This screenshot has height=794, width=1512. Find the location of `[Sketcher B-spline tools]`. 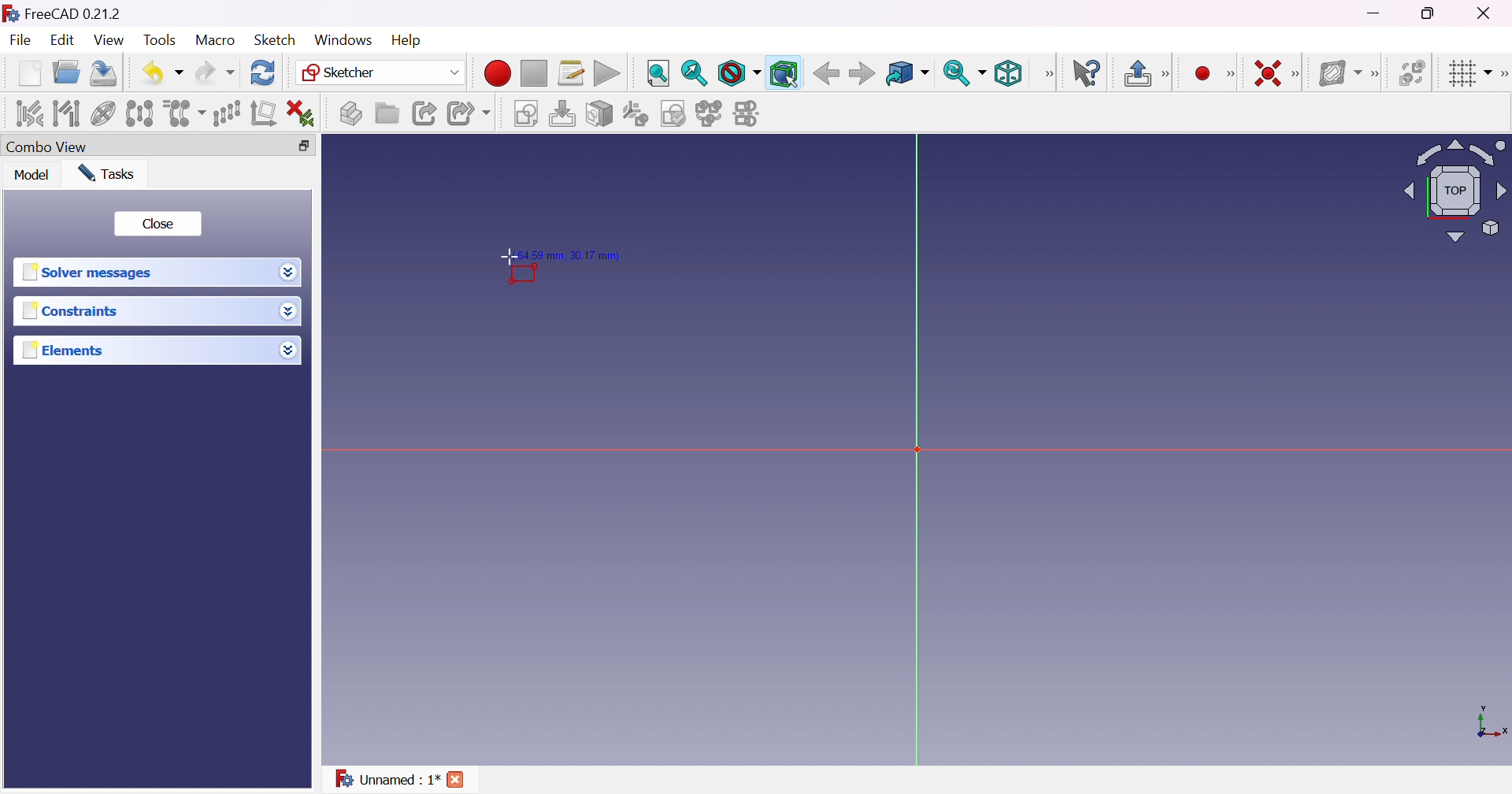

[Sketcher B-spline tools] is located at coordinates (1377, 74).